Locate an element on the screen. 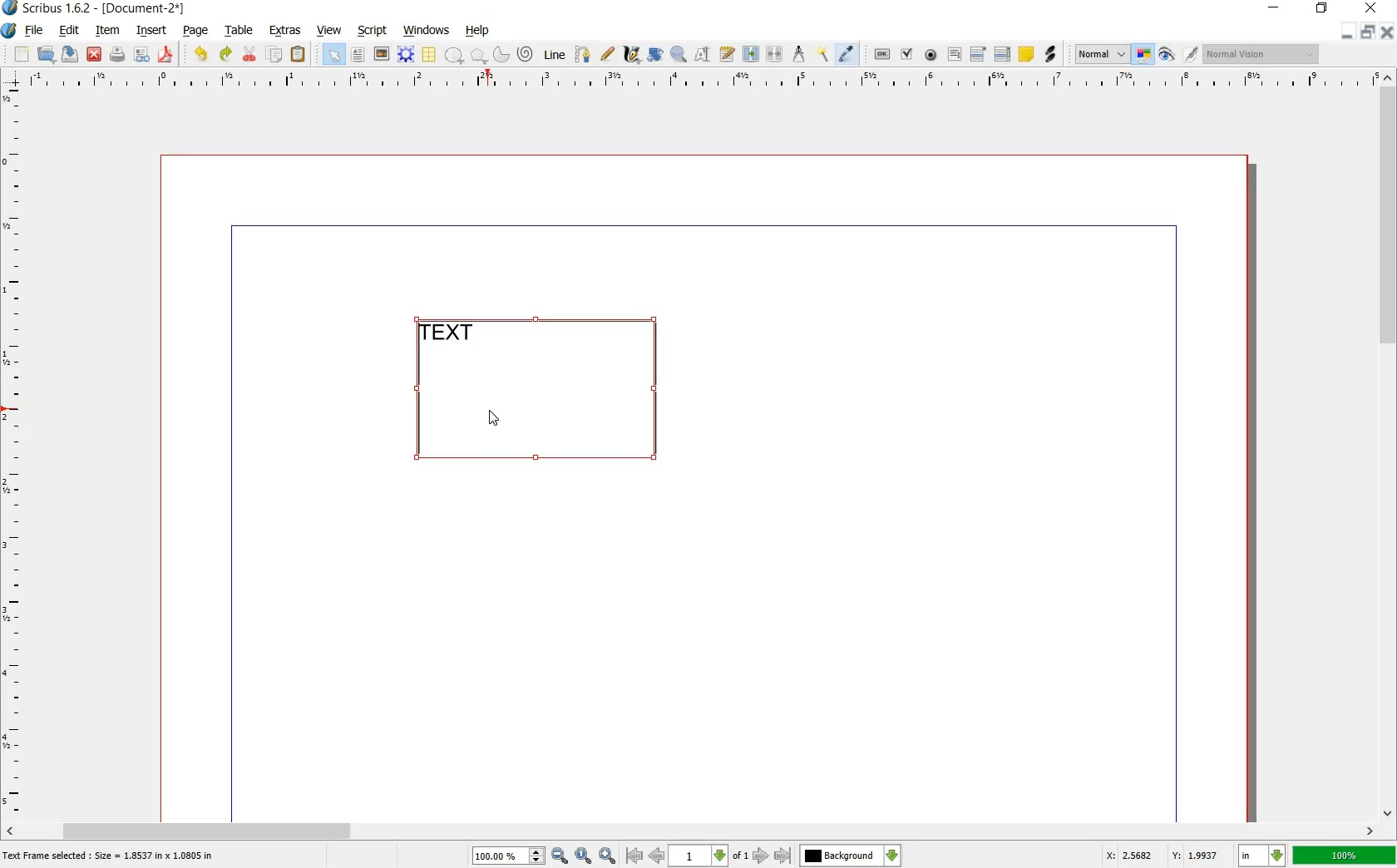 This screenshot has width=1397, height=868. pdf text field is located at coordinates (954, 54).